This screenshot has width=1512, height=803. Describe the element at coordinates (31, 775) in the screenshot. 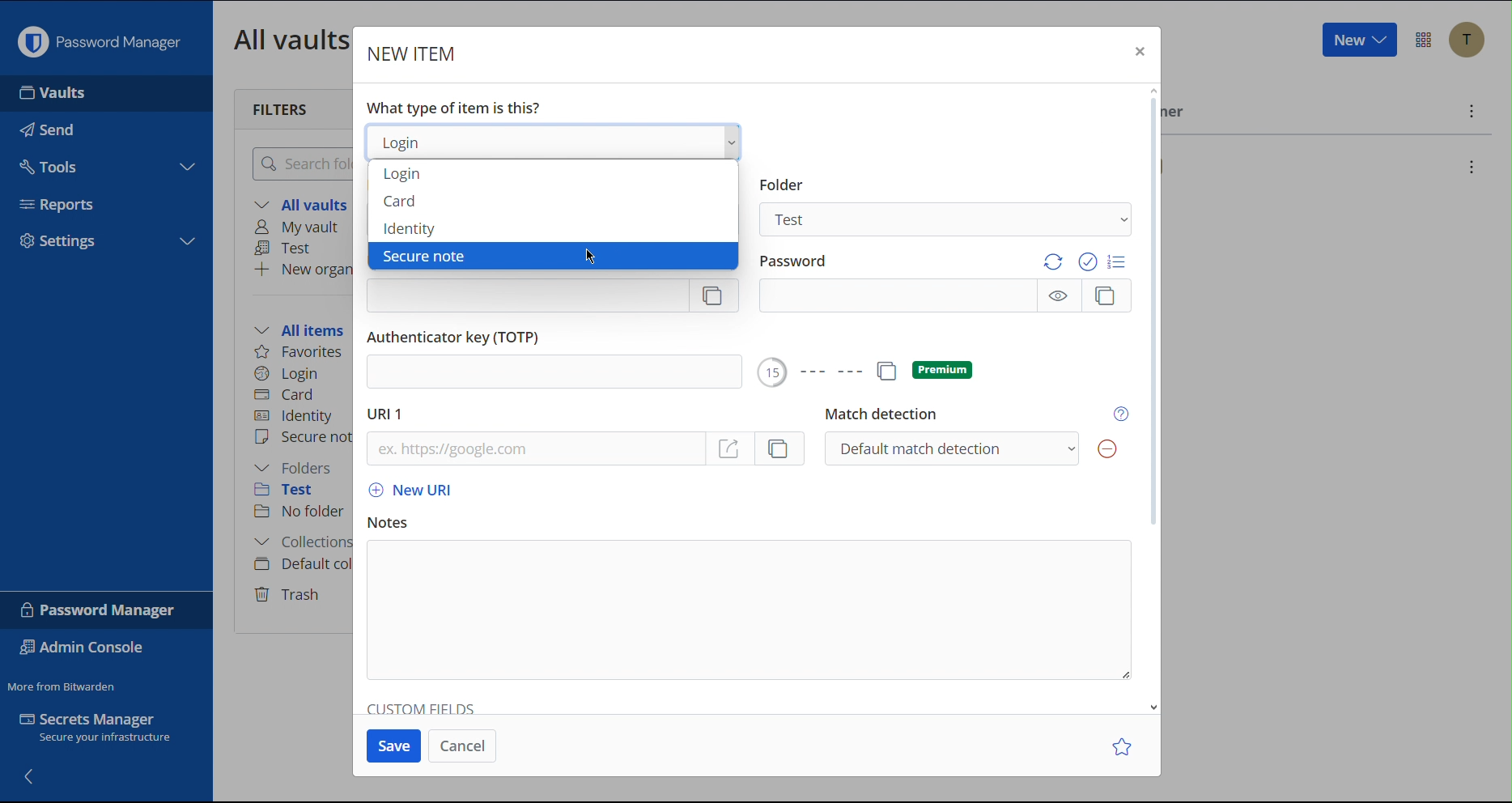

I see `Back` at that location.